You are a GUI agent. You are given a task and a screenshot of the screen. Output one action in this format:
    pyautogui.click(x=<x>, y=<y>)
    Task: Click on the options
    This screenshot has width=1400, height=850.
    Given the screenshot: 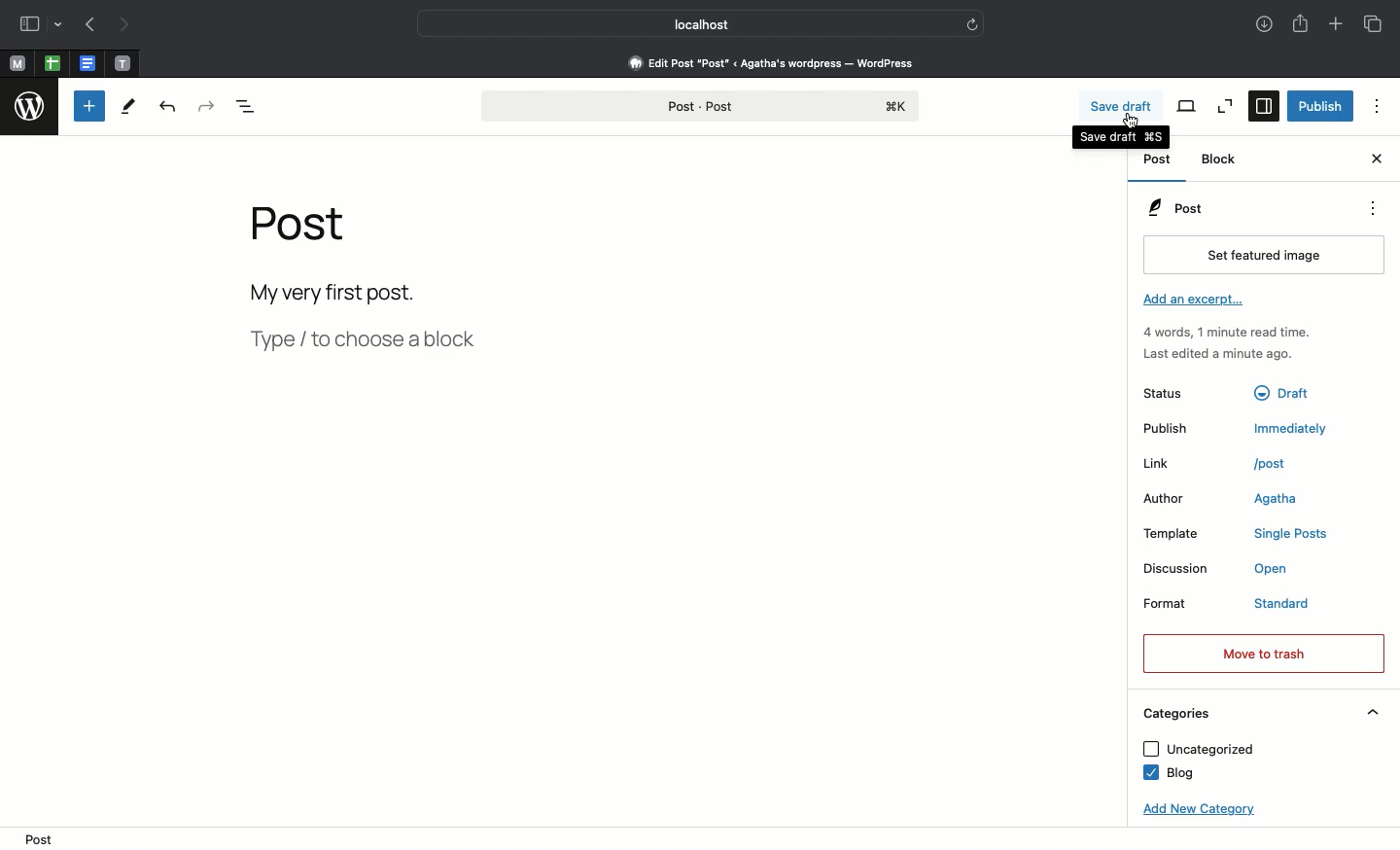 What is the action you would take?
    pyautogui.click(x=1378, y=106)
    